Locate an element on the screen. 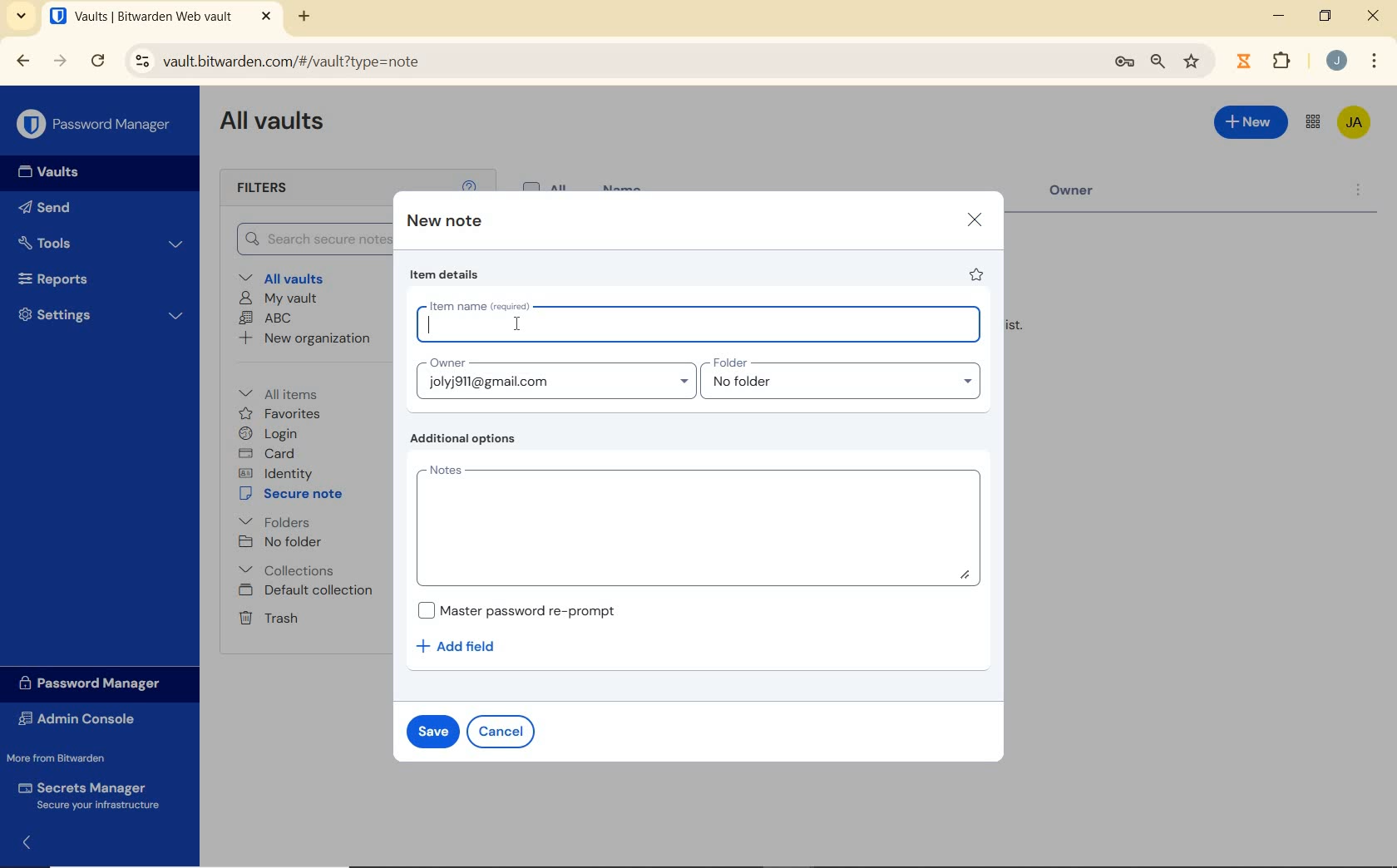  Owner is located at coordinates (1085, 195).